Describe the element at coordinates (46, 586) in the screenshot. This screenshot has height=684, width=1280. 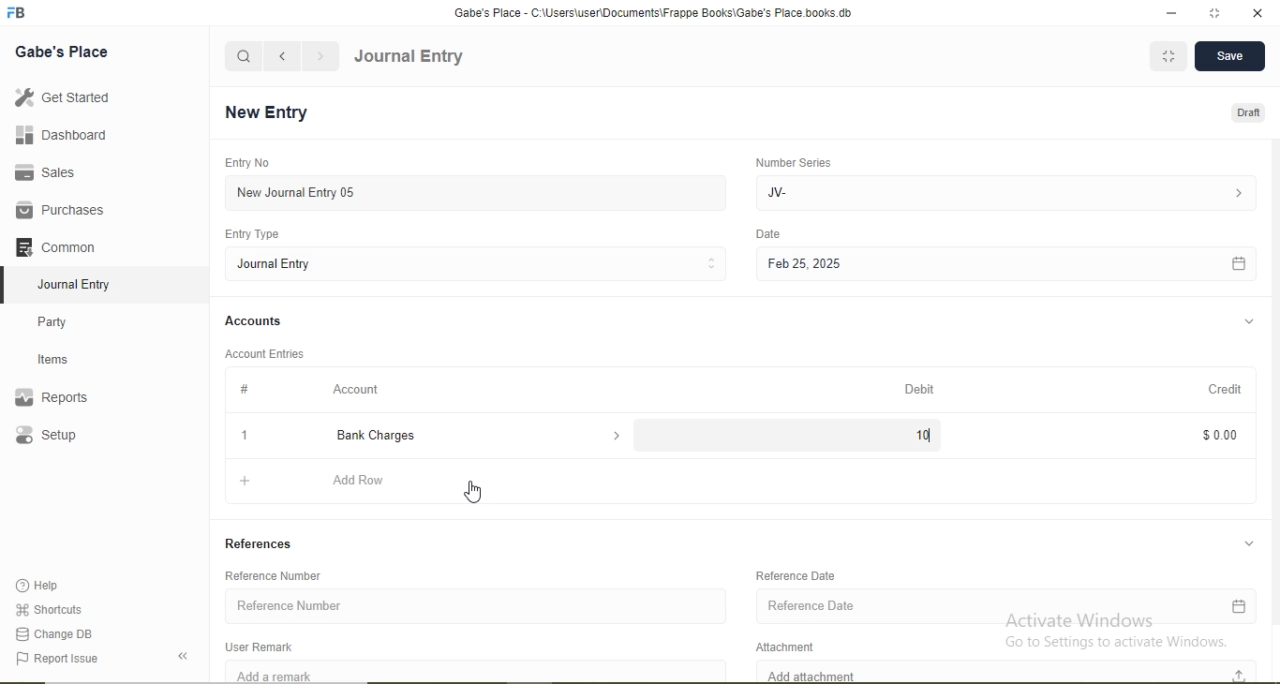
I see `Help` at that location.